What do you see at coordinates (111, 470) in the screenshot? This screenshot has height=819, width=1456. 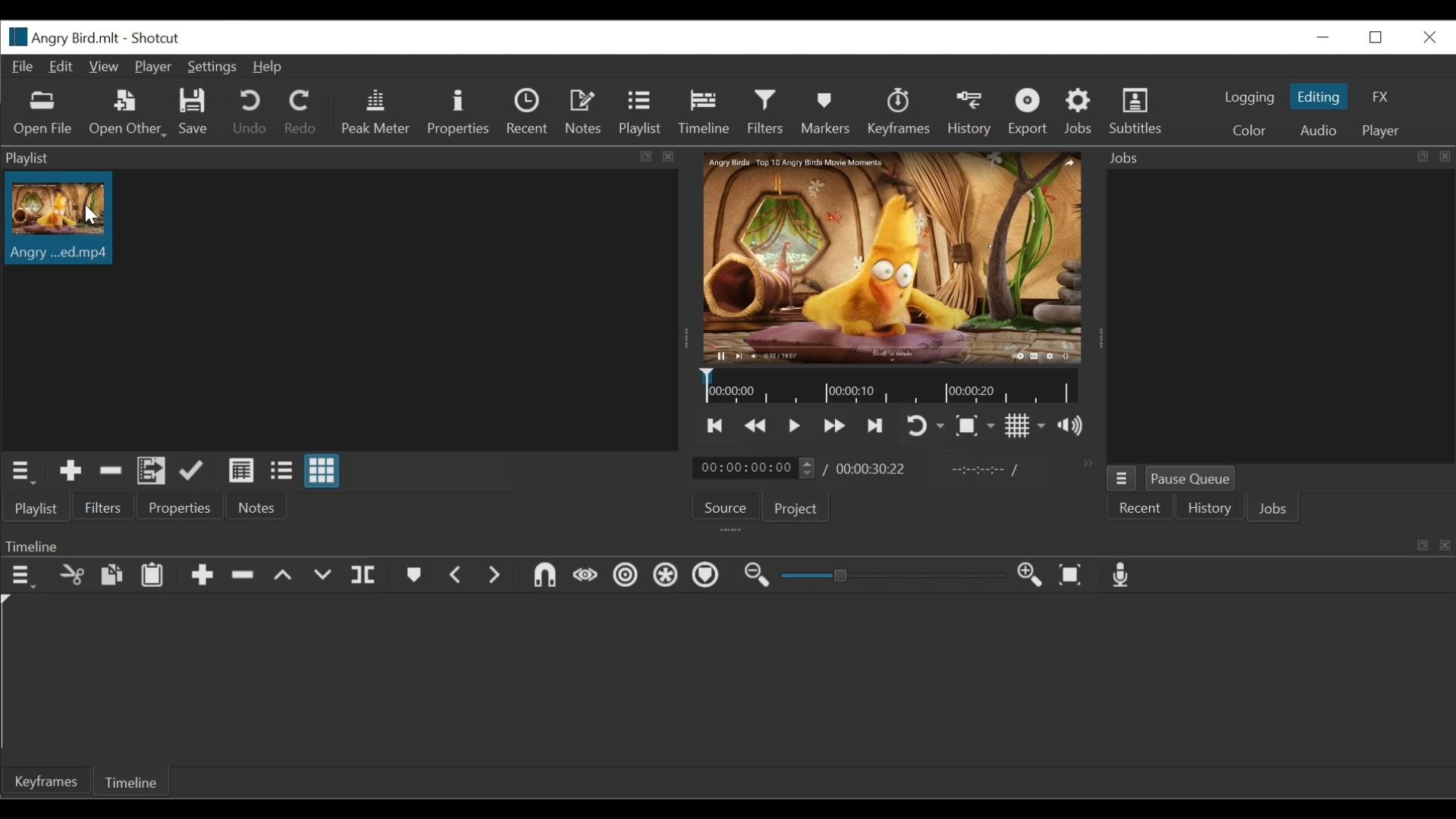 I see `Remove Cut` at bounding box center [111, 470].